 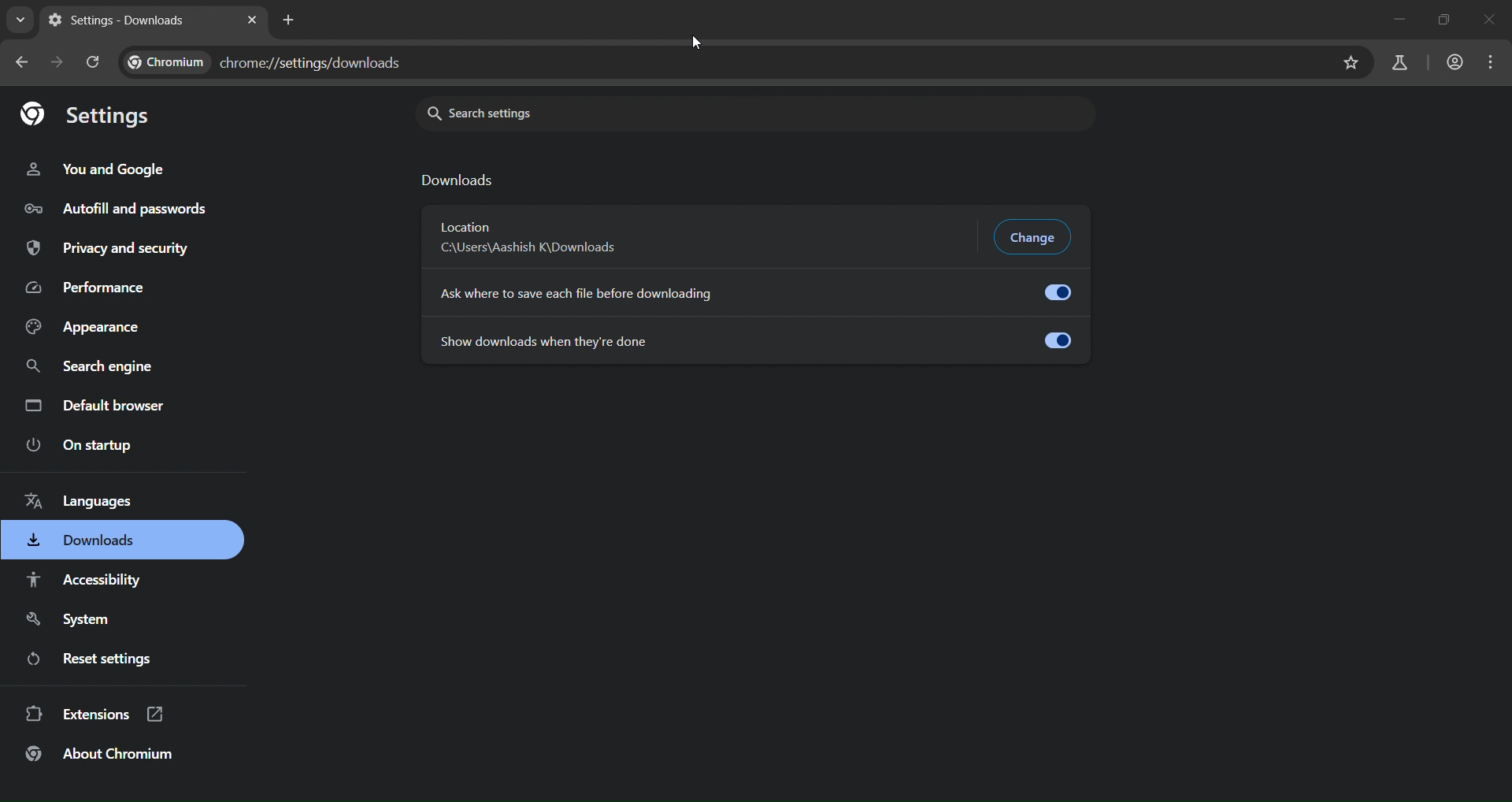 What do you see at coordinates (96, 406) in the screenshot?
I see `default browser` at bounding box center [96, 406].